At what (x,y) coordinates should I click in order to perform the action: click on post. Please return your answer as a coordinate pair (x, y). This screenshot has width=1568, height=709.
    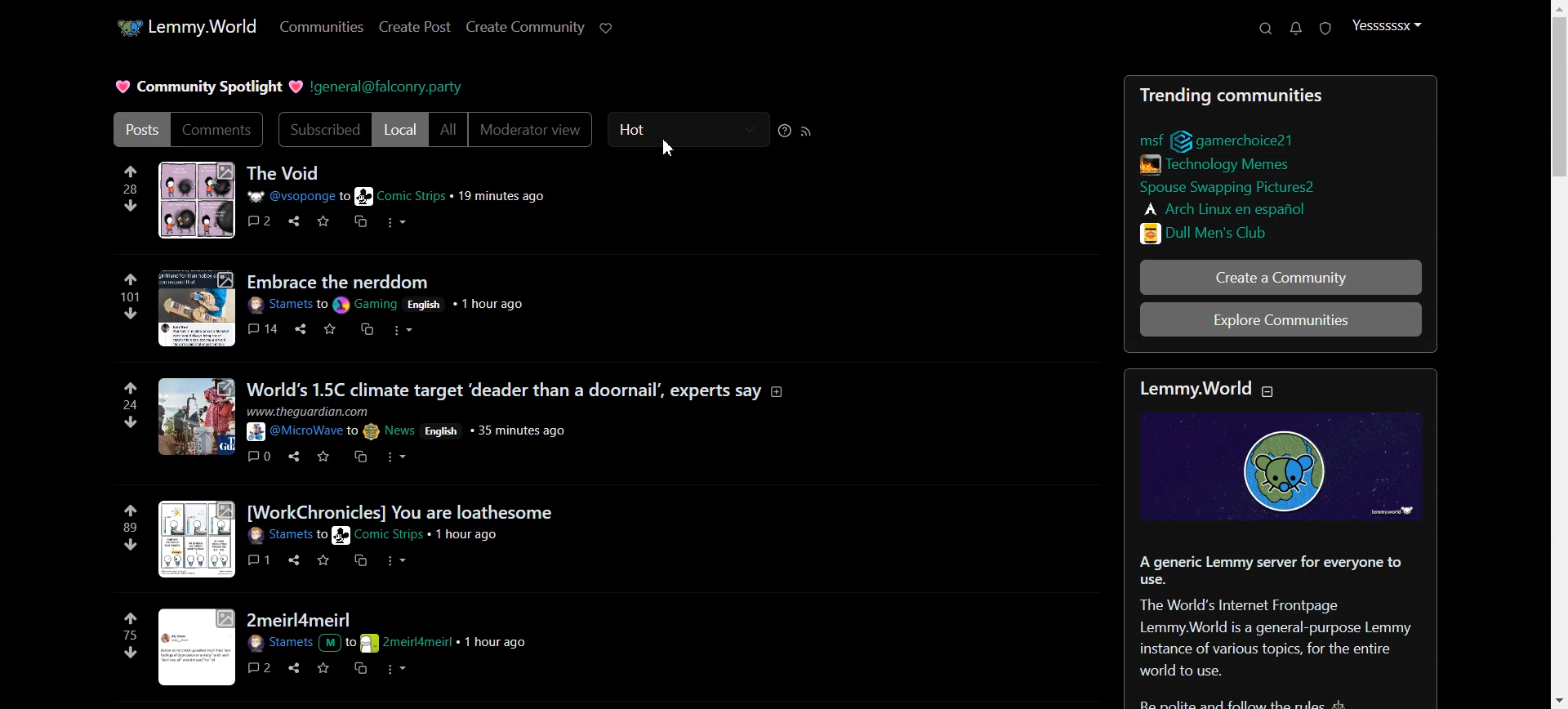
    Looking at the image, I should click on (341, 280).